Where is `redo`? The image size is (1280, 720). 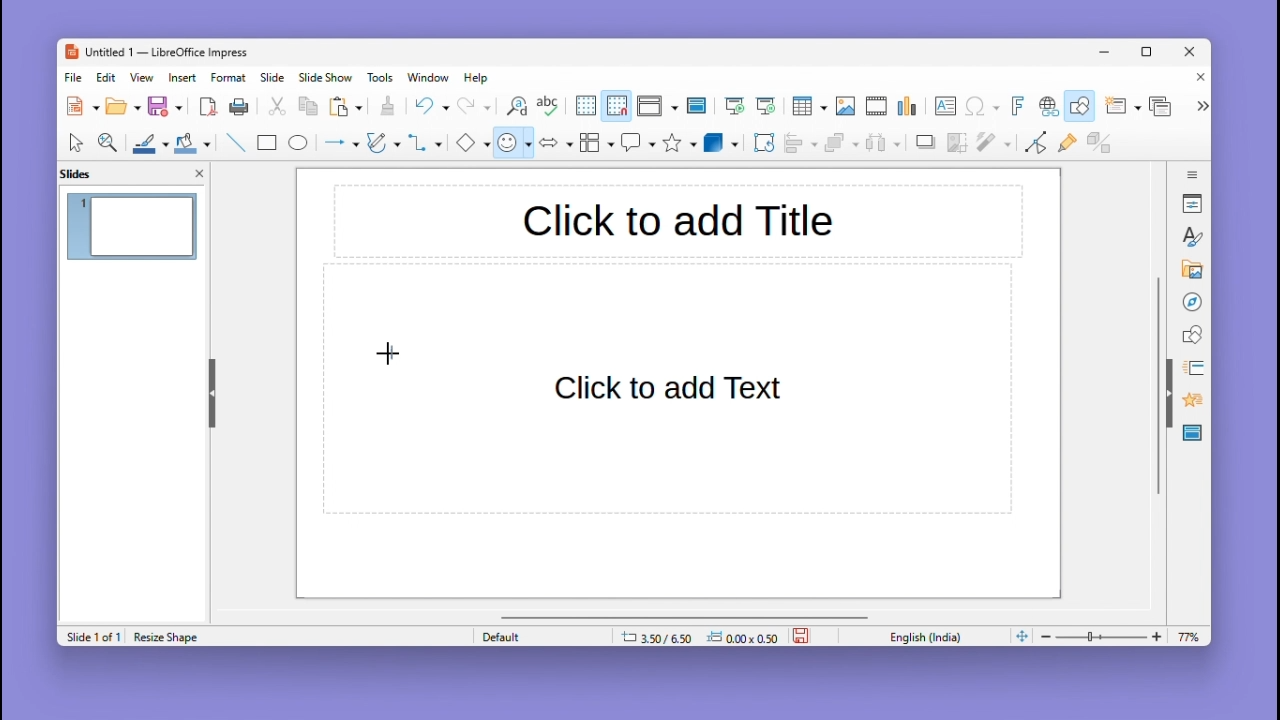
redo is located at coordinates (475, 107).